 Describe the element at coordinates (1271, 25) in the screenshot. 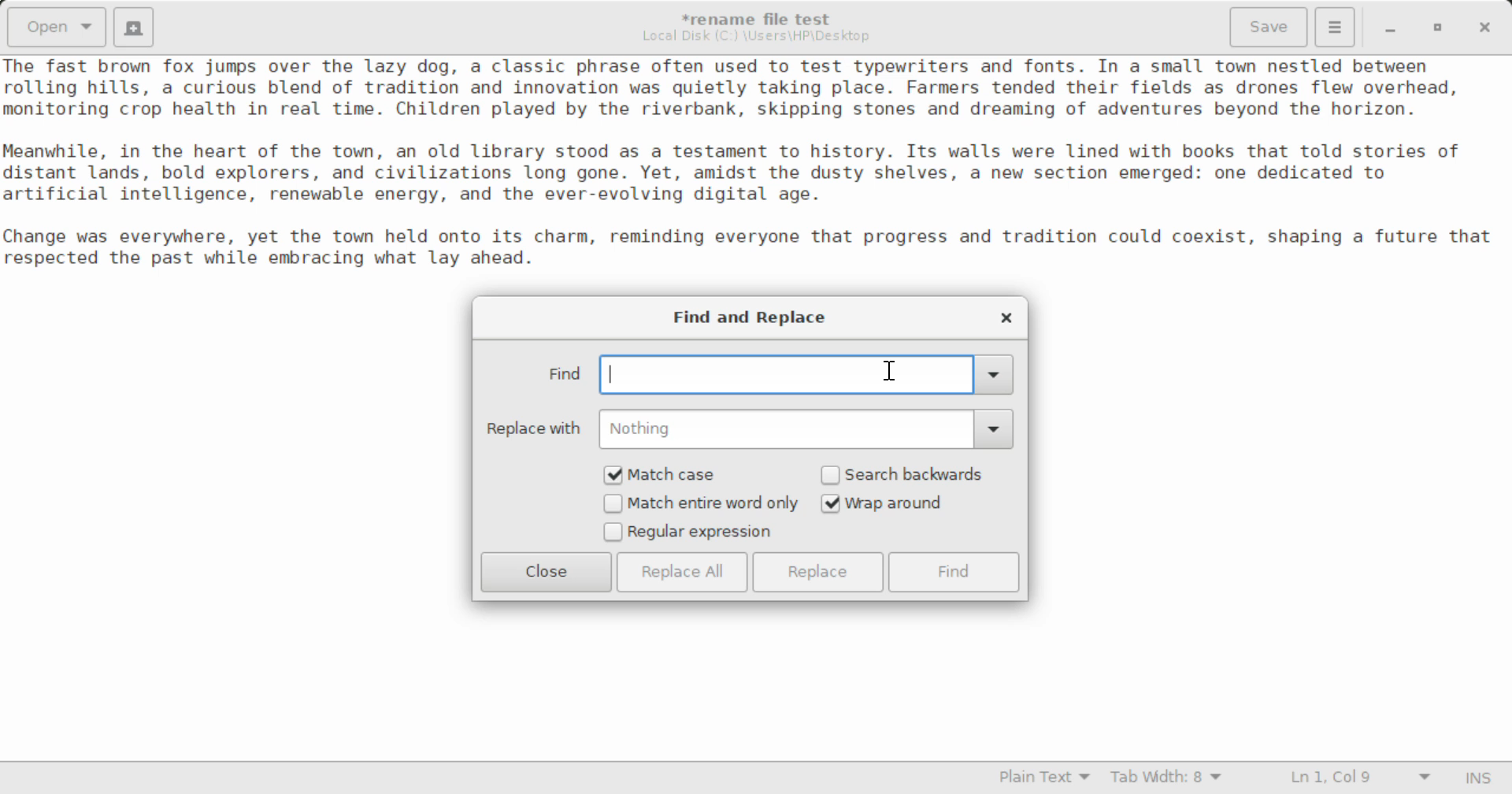

I see `Save File` at that location.